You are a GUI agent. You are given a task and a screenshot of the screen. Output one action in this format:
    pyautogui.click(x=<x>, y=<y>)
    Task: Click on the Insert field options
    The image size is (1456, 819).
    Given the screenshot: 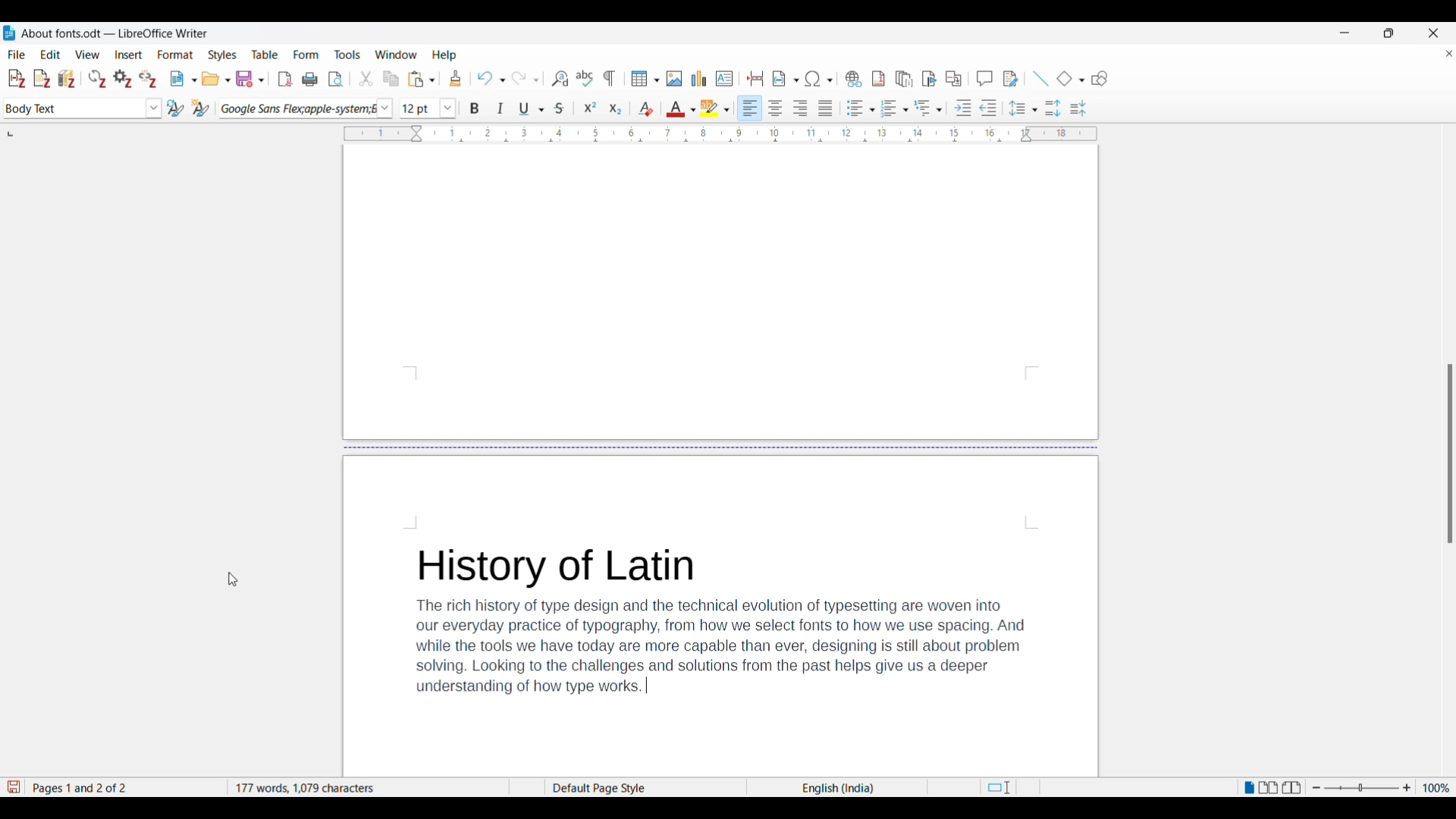 What is the action you would take?
    pyautogui.click(x=786, y=78)
    